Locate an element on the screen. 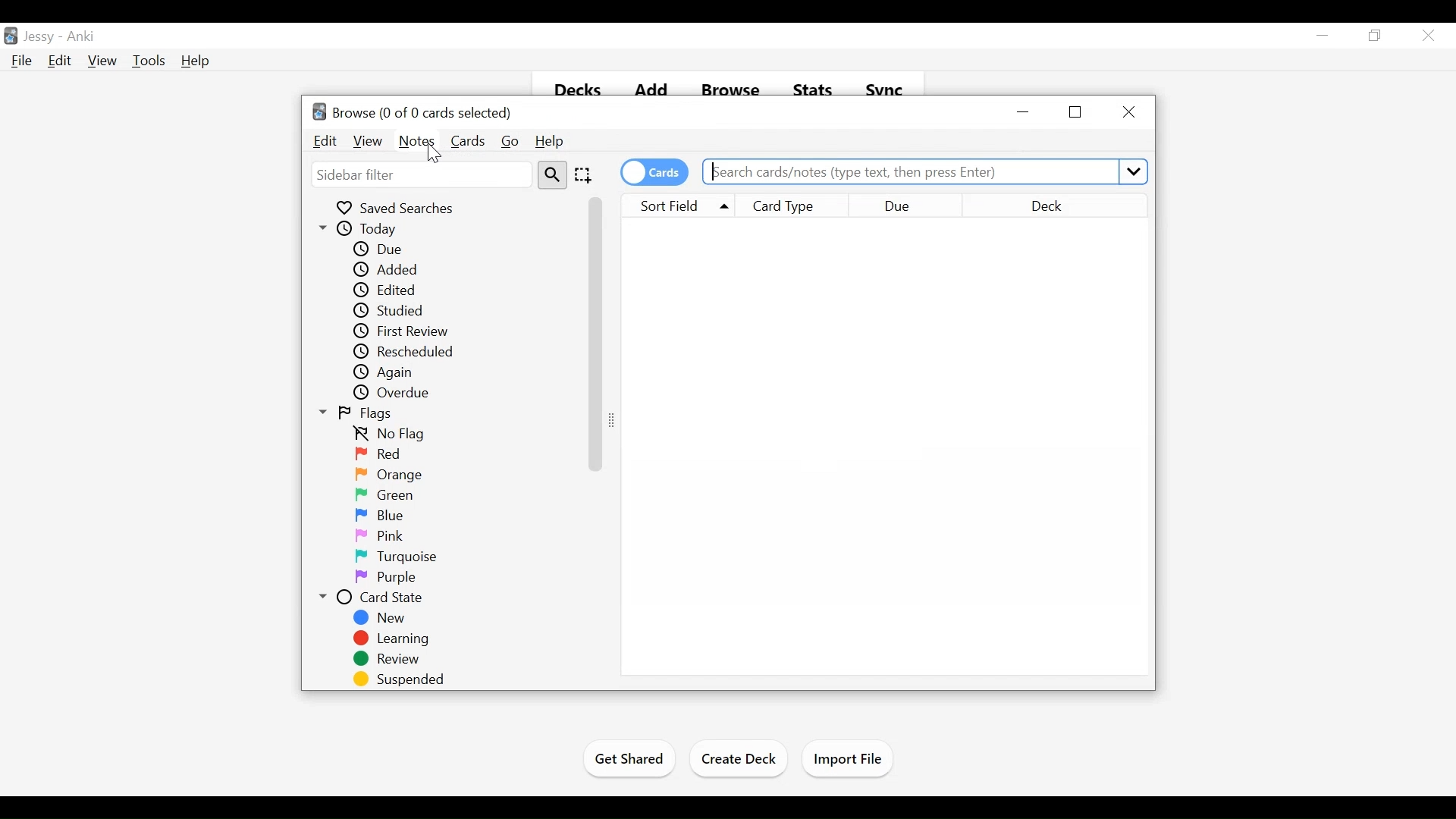 The width and height of the screenshot is (1456, 819). Turquoise is located at coordinates (403, 557).